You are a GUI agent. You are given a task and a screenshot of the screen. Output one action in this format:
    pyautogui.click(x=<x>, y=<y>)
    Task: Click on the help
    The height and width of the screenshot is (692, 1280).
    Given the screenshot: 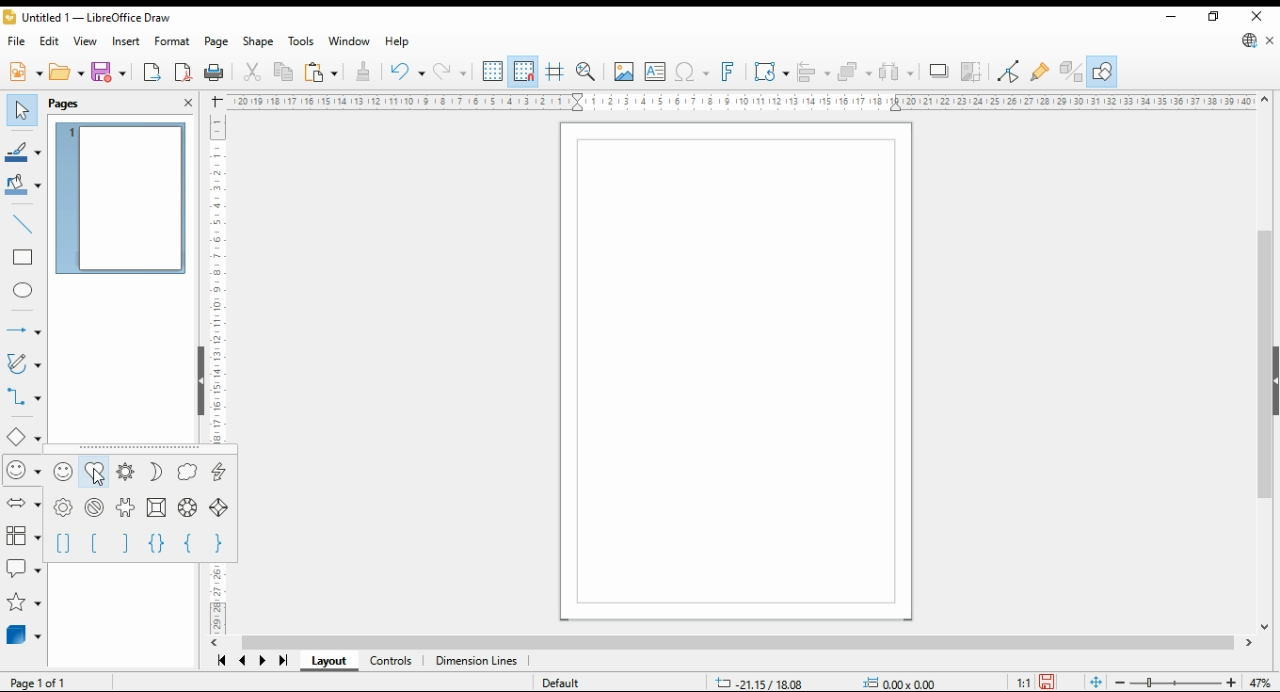 What is the action you would take?
    pyautogui.click(x=398, y=42)
    